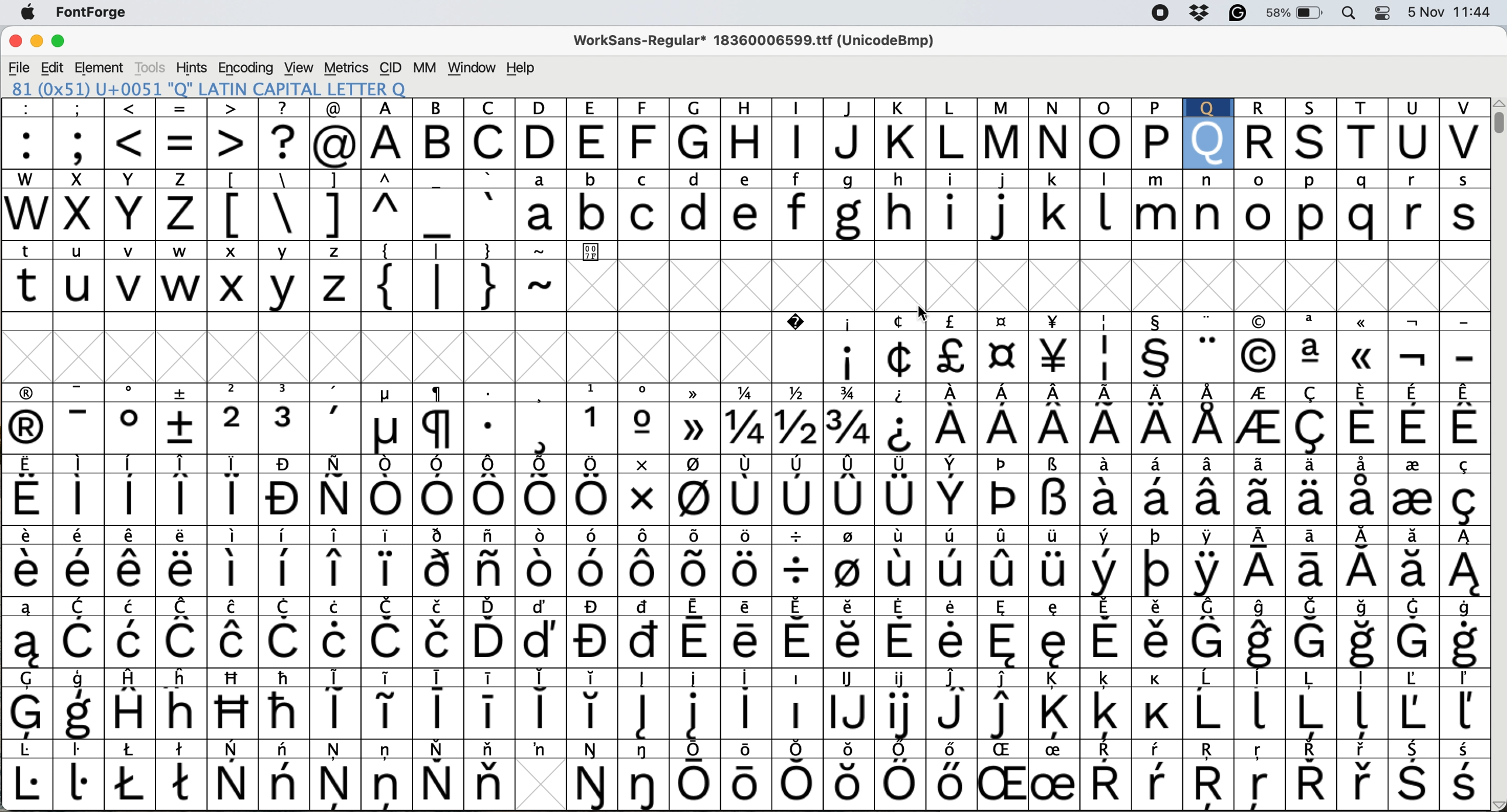  I want to click on fontforge, so click(107, 15).